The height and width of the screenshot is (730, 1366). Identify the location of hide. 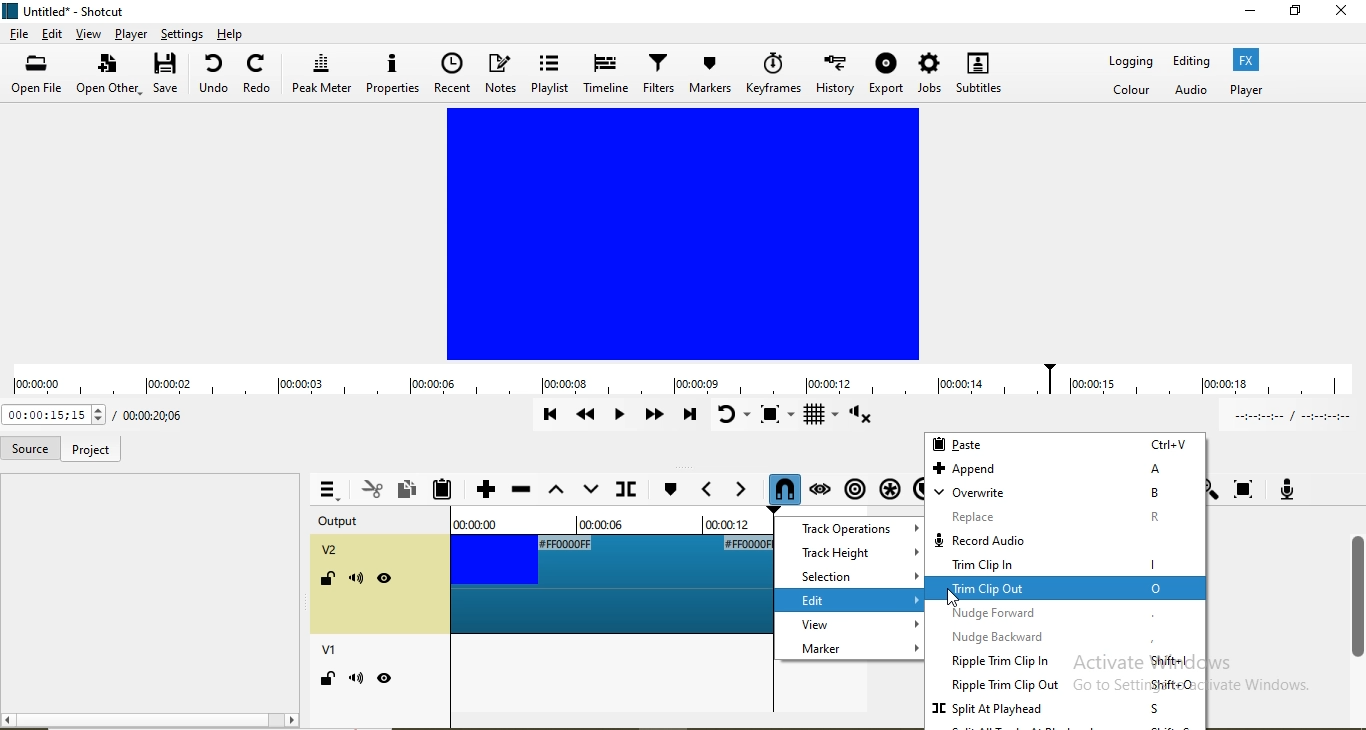
(386, 678).